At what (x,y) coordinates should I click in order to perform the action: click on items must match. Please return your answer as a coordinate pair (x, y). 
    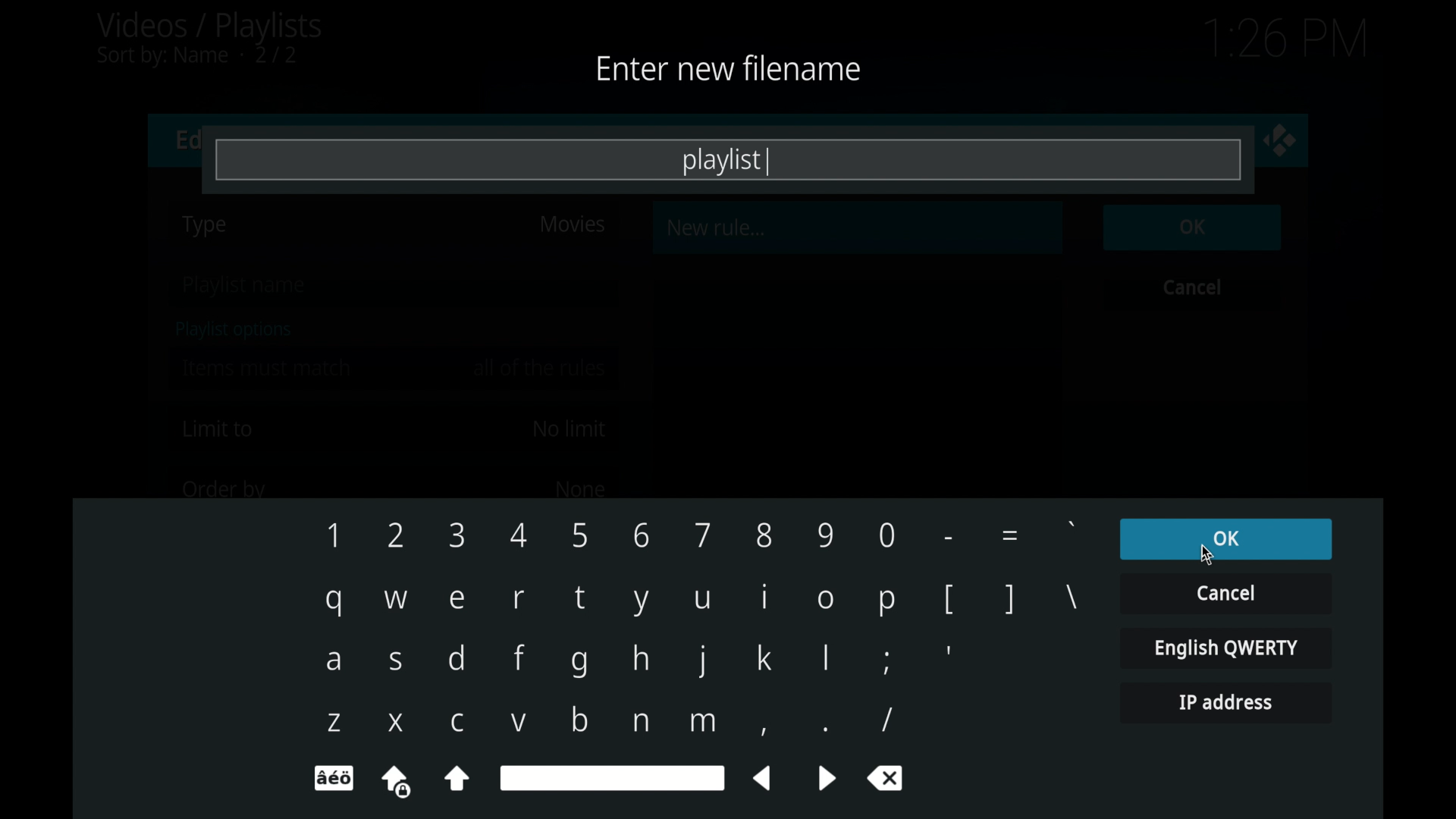
    Looking at the image, I should click on (268, 368).